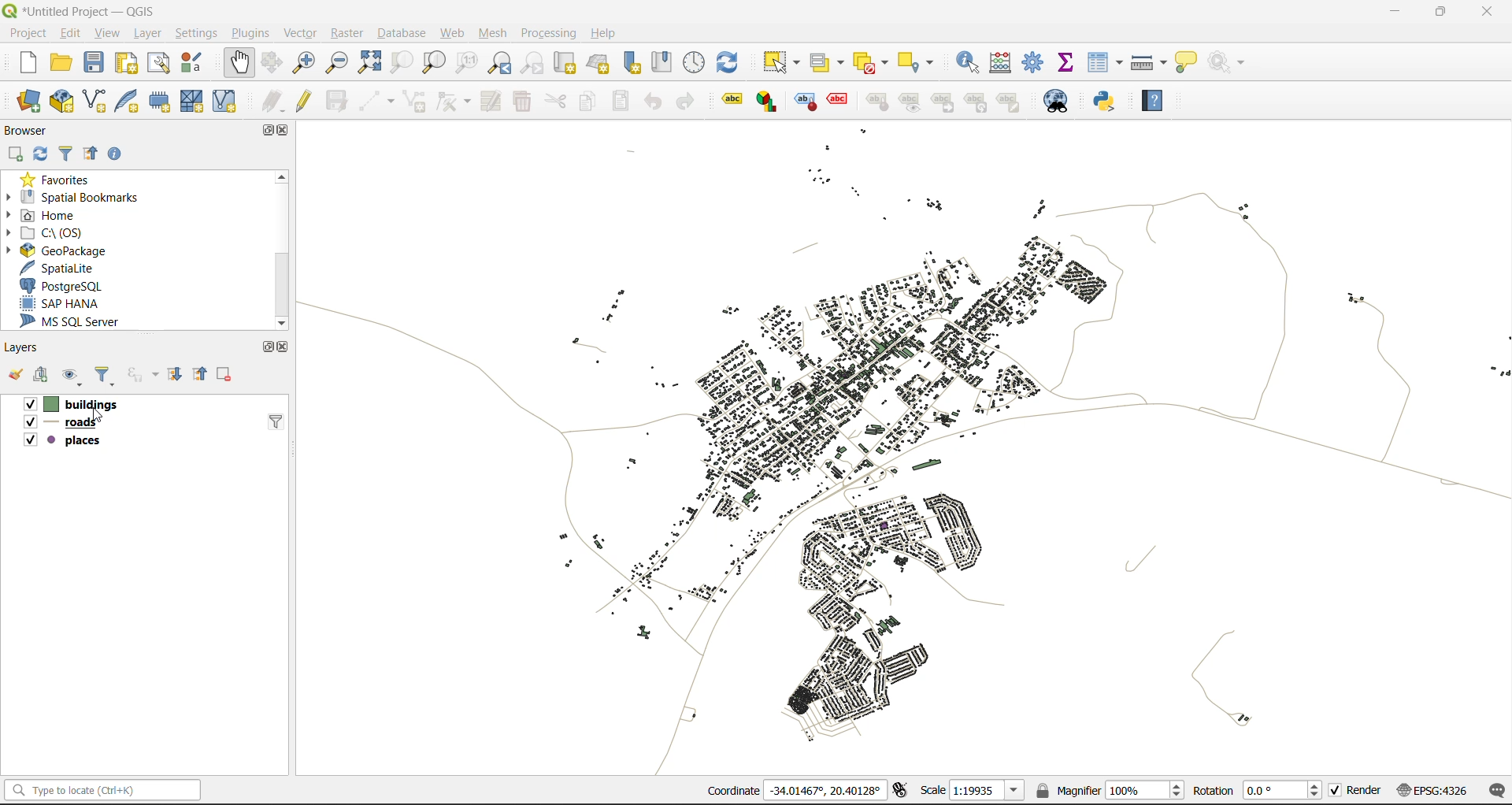 This screenshot has height=805, width=1512. What do you see at coordinates (1154, 101) in the screenshot?
I see `help` at bounding box center [1154, 101].